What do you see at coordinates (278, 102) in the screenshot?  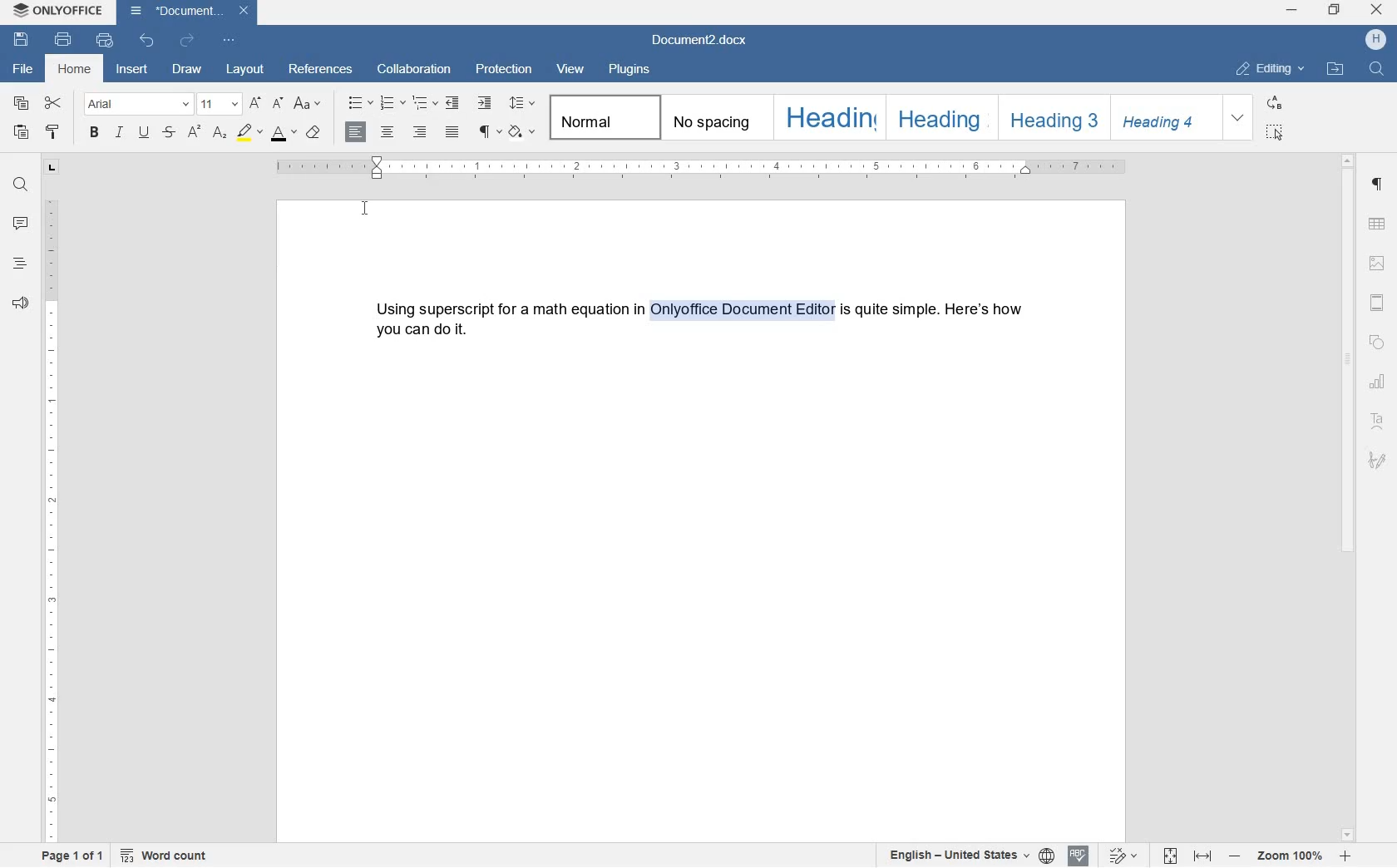 I see `decrement font size` at bounding box center [278, 102].